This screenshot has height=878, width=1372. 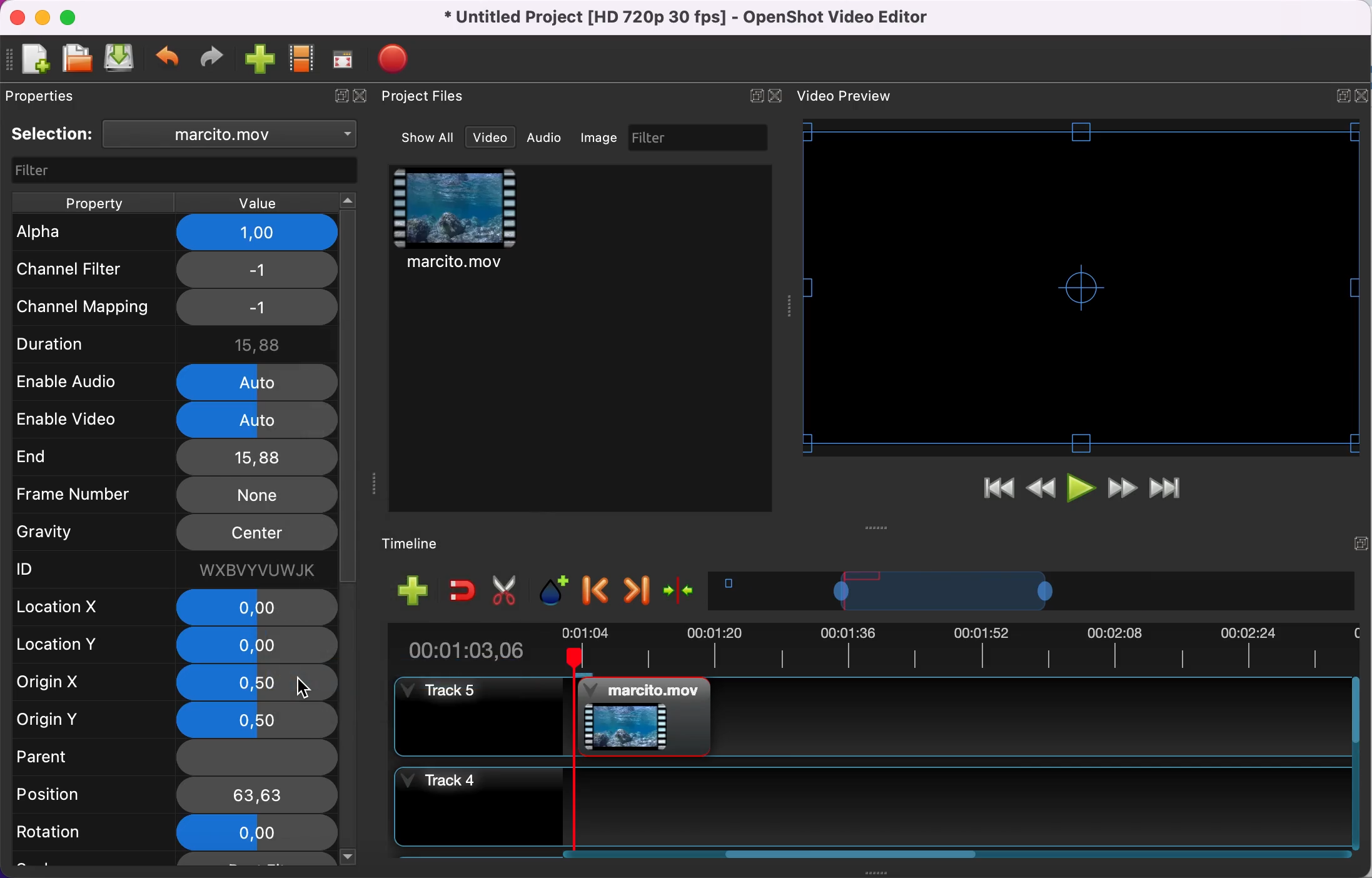 I want to click on enable audio auto, so click(x=170, y=381).